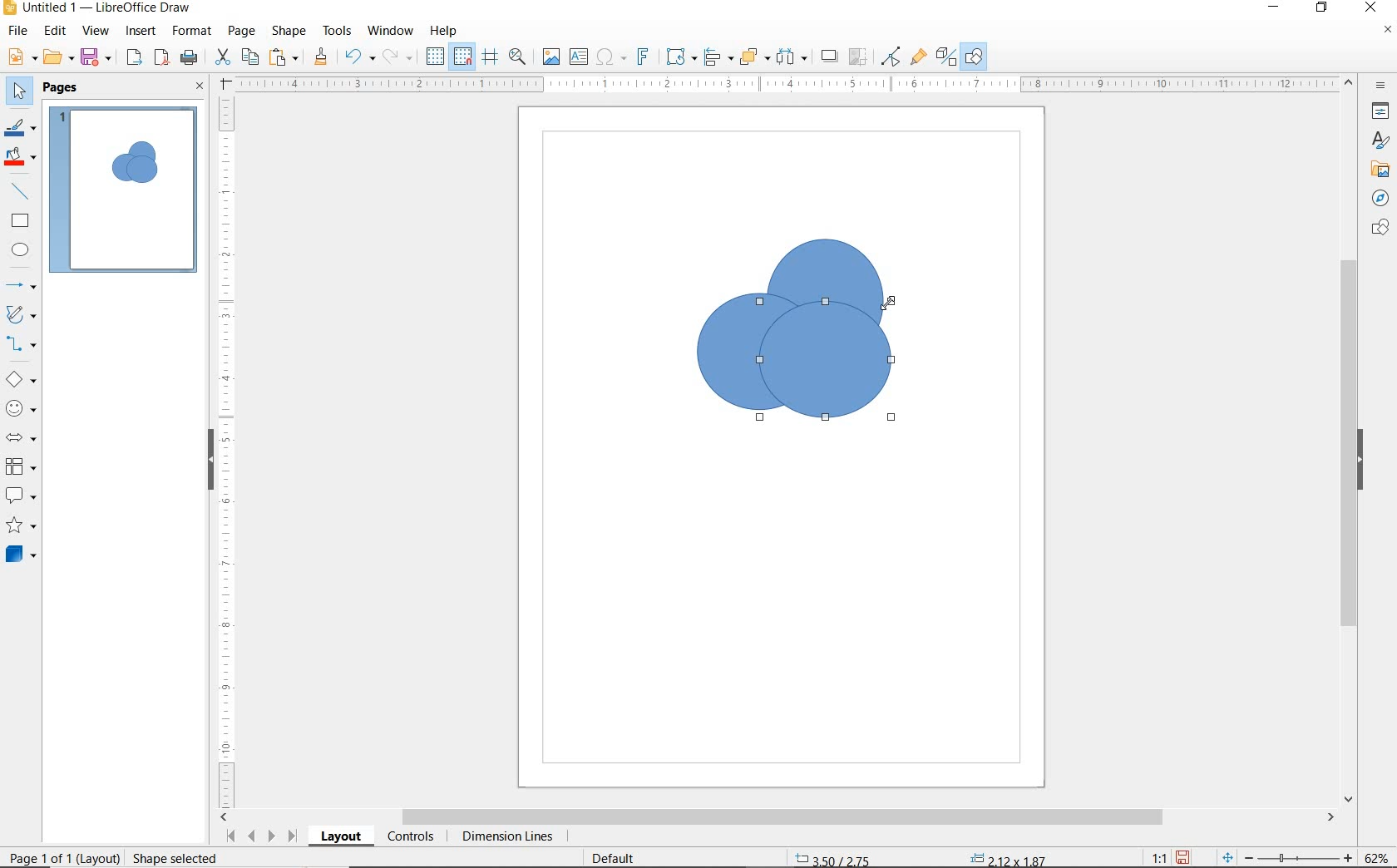 The height and width of the screenshot is (868, 1397). I want to click on STARS AND BANNERS, so click(21, 527).